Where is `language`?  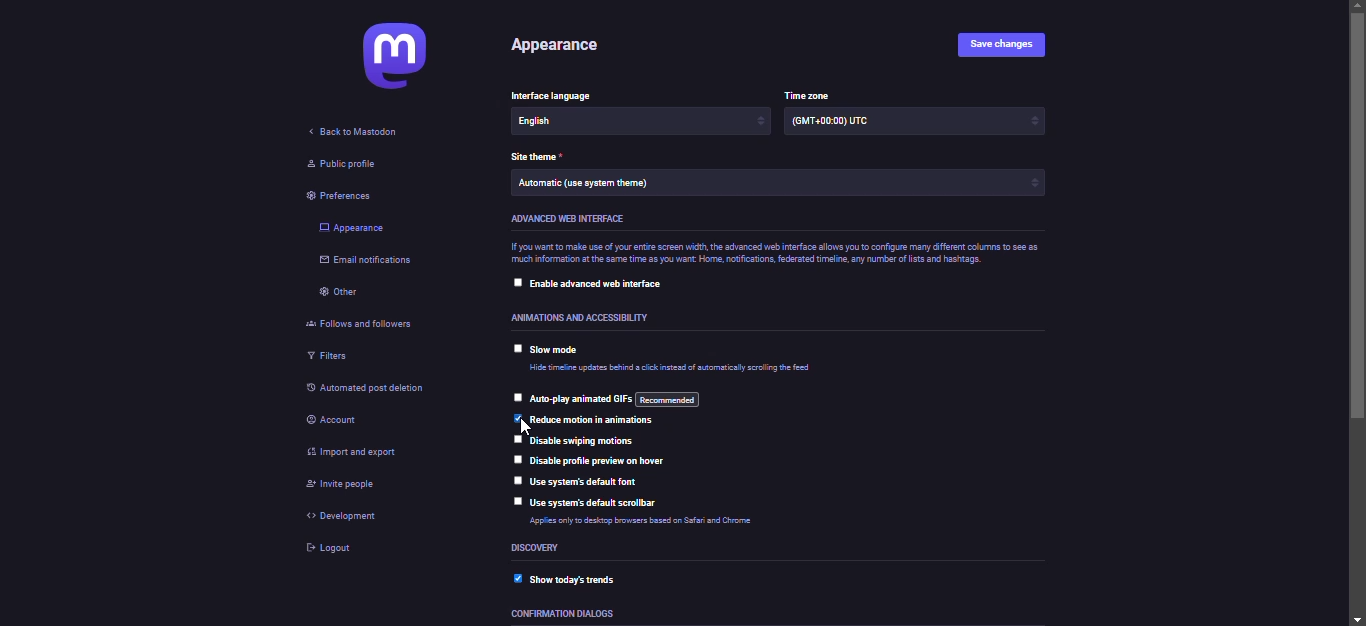 language is located at coordinates (567, 123).